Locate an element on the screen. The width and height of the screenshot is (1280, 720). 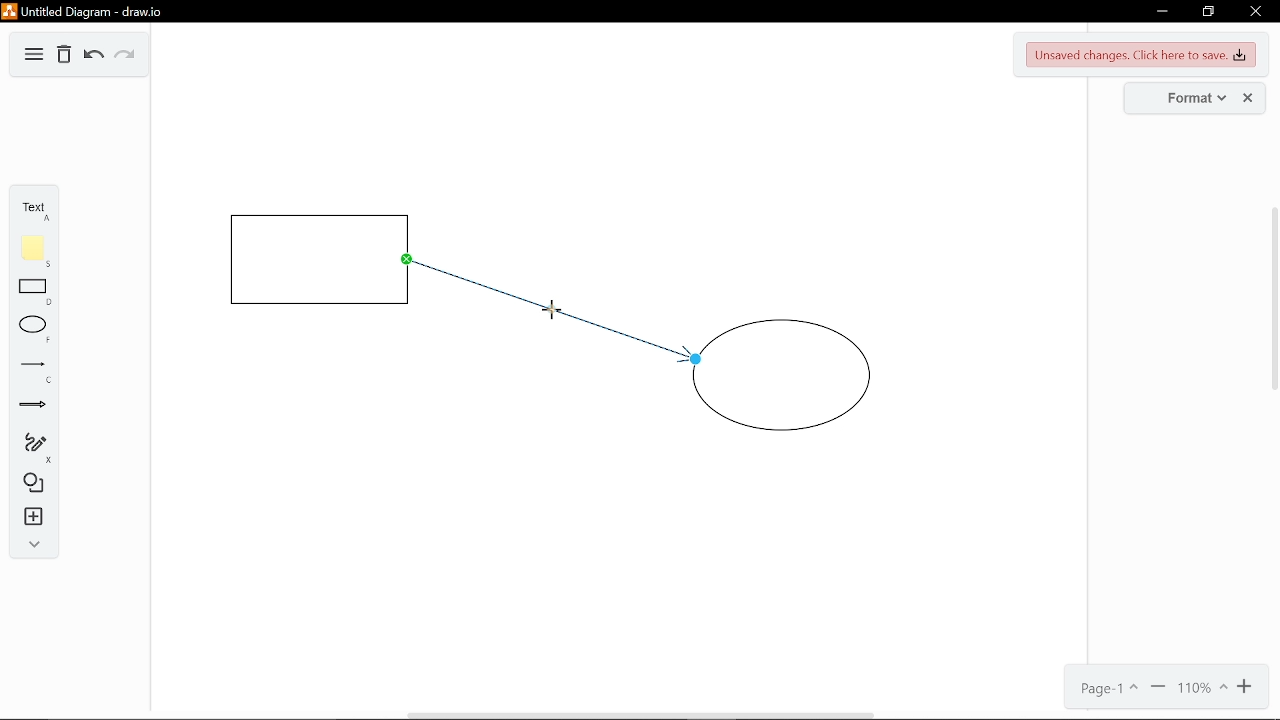
Instert is located at coordinates (30, 518).